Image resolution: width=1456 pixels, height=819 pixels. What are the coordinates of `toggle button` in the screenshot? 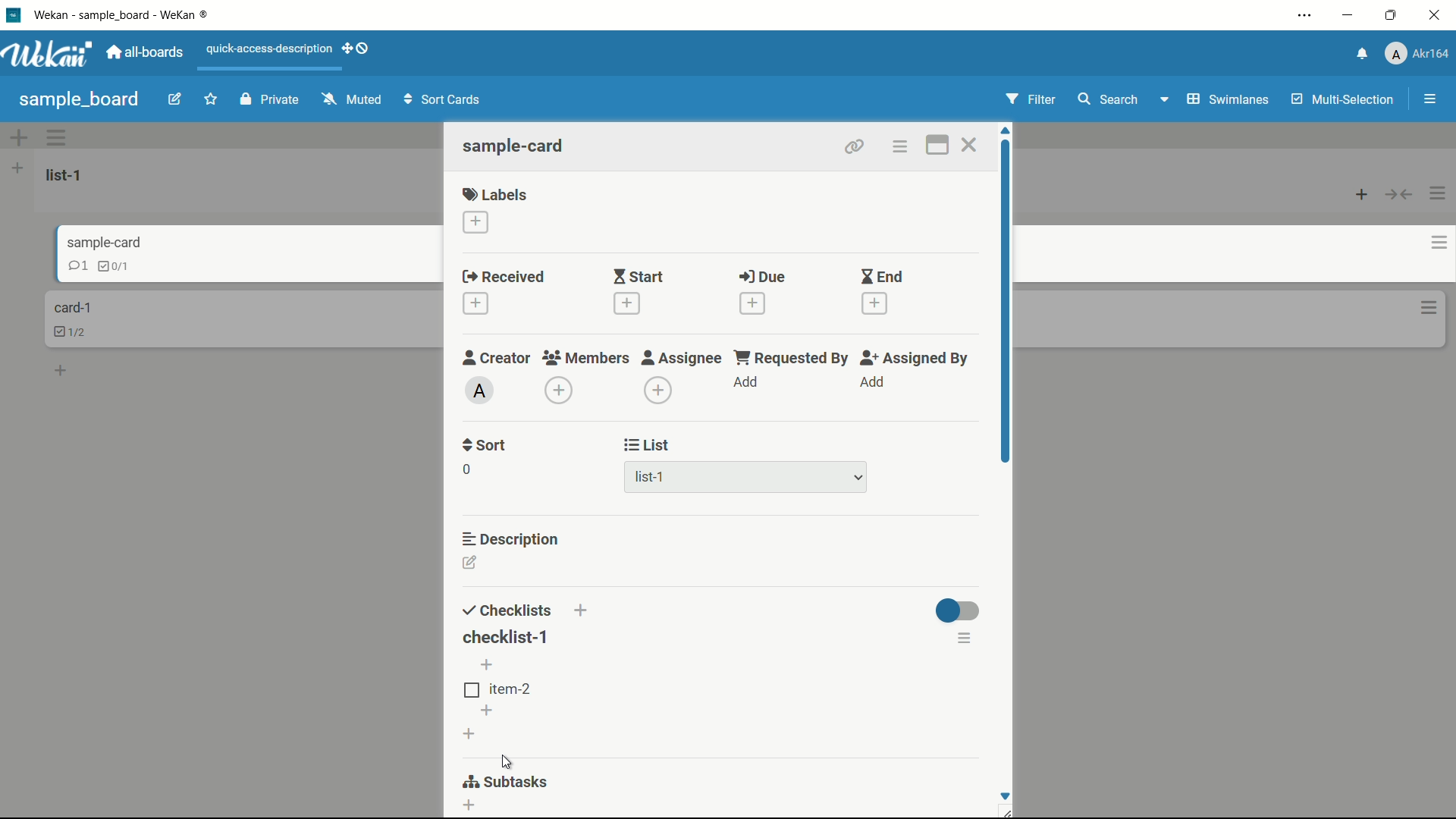 It's located at (956, 610).